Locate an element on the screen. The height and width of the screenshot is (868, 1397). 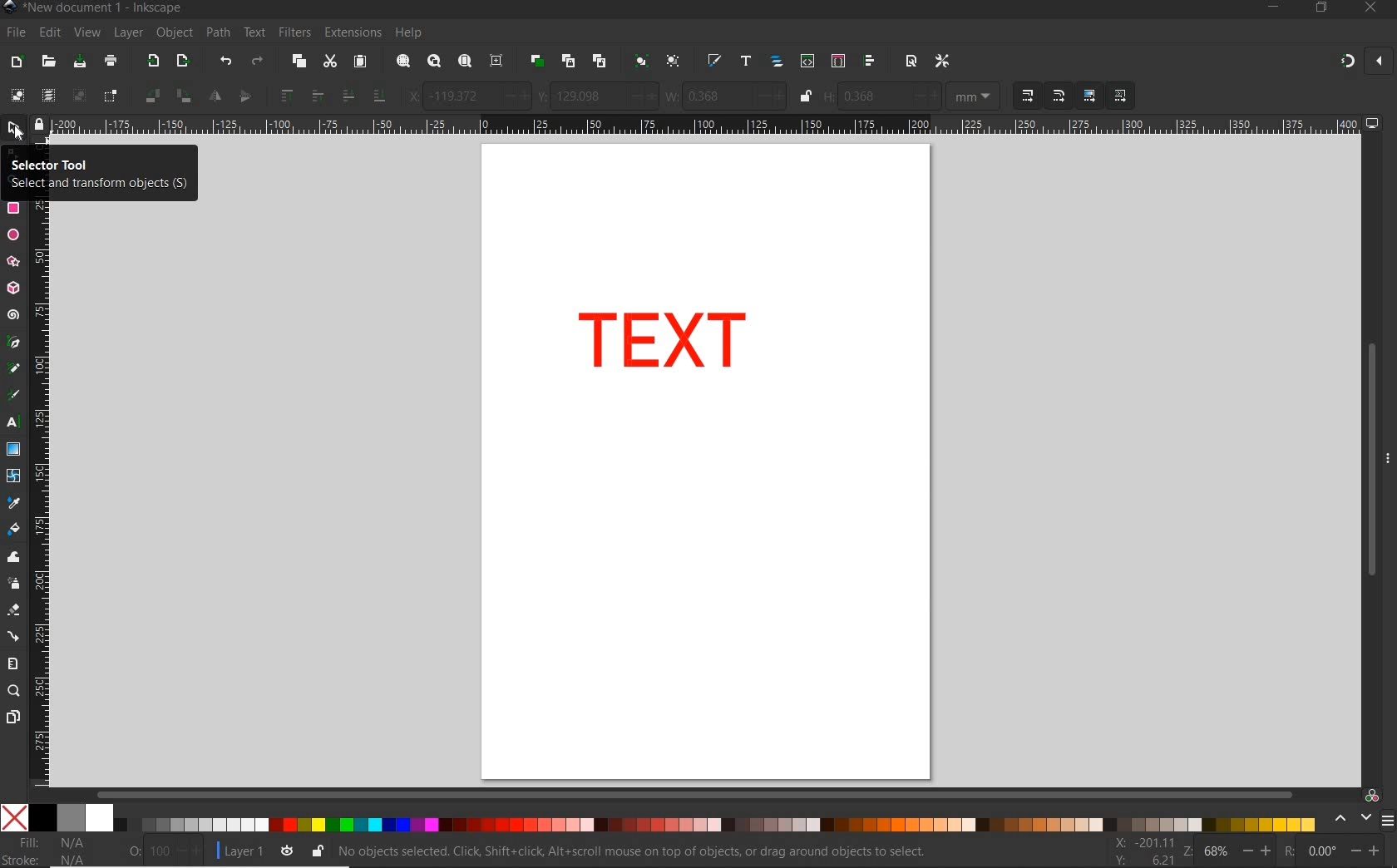
SELECTOR TOOL is located at coordinates (15, 131).